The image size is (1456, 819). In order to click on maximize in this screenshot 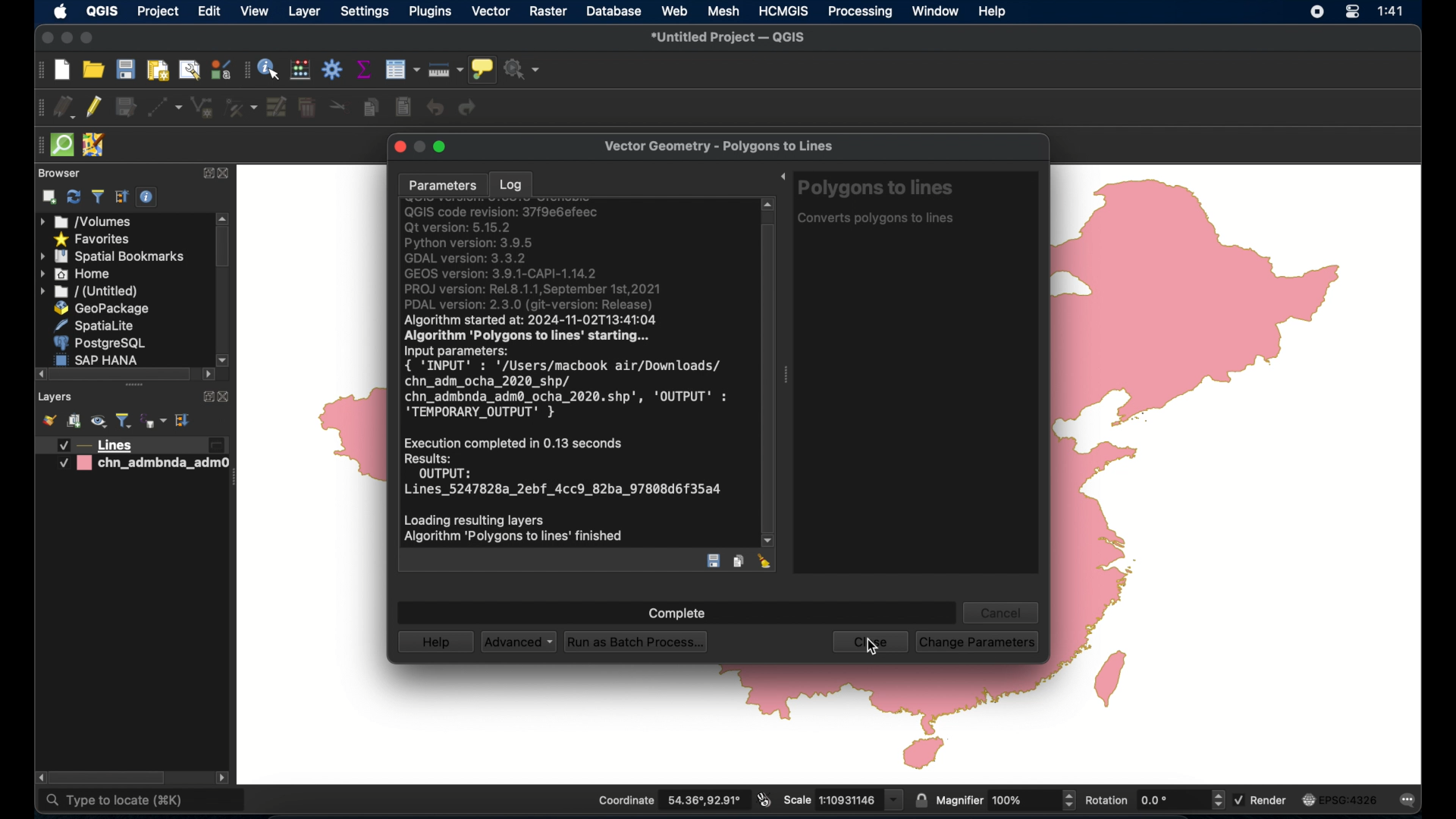, I will do `click(441, 146)`.